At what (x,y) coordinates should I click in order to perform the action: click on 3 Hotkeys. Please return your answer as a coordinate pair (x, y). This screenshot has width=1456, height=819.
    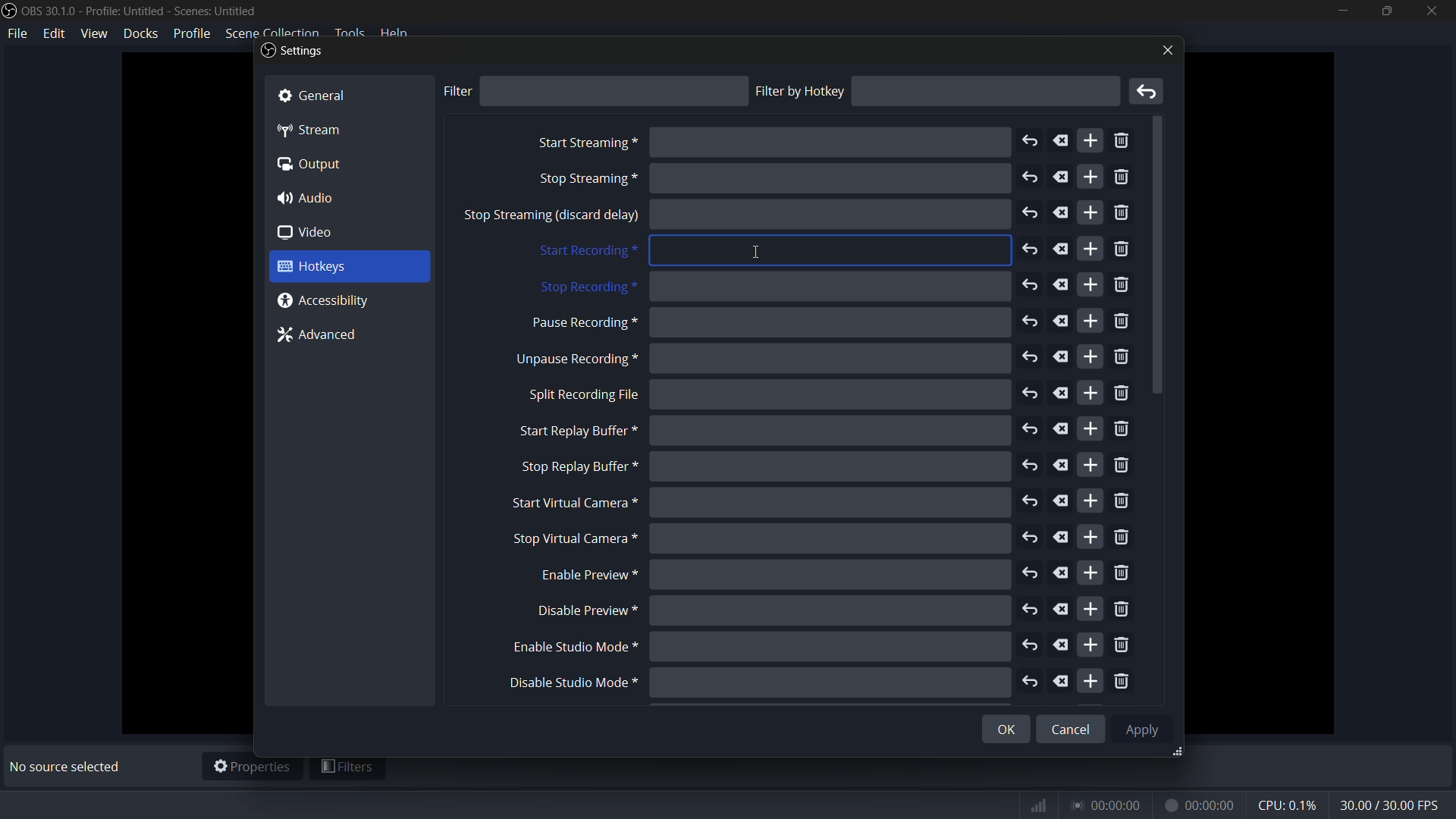
    Looking at the image, I should click on (334, 267).